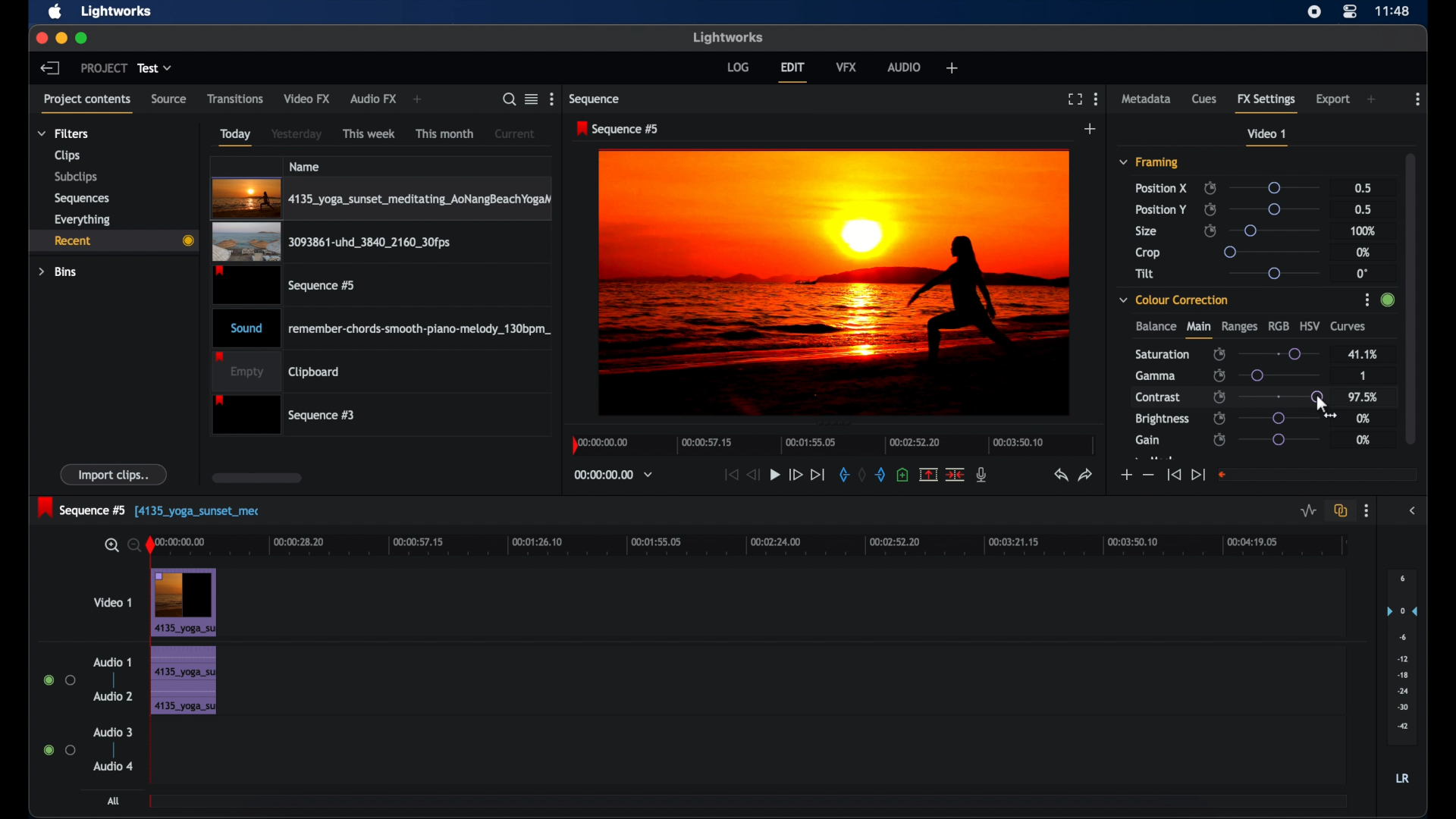 This screenshot has width=1456, height=819. What do you see at coordinates (83, 507) in the screenshot?
I see `sequence 5` at bounding box center [83, 507].